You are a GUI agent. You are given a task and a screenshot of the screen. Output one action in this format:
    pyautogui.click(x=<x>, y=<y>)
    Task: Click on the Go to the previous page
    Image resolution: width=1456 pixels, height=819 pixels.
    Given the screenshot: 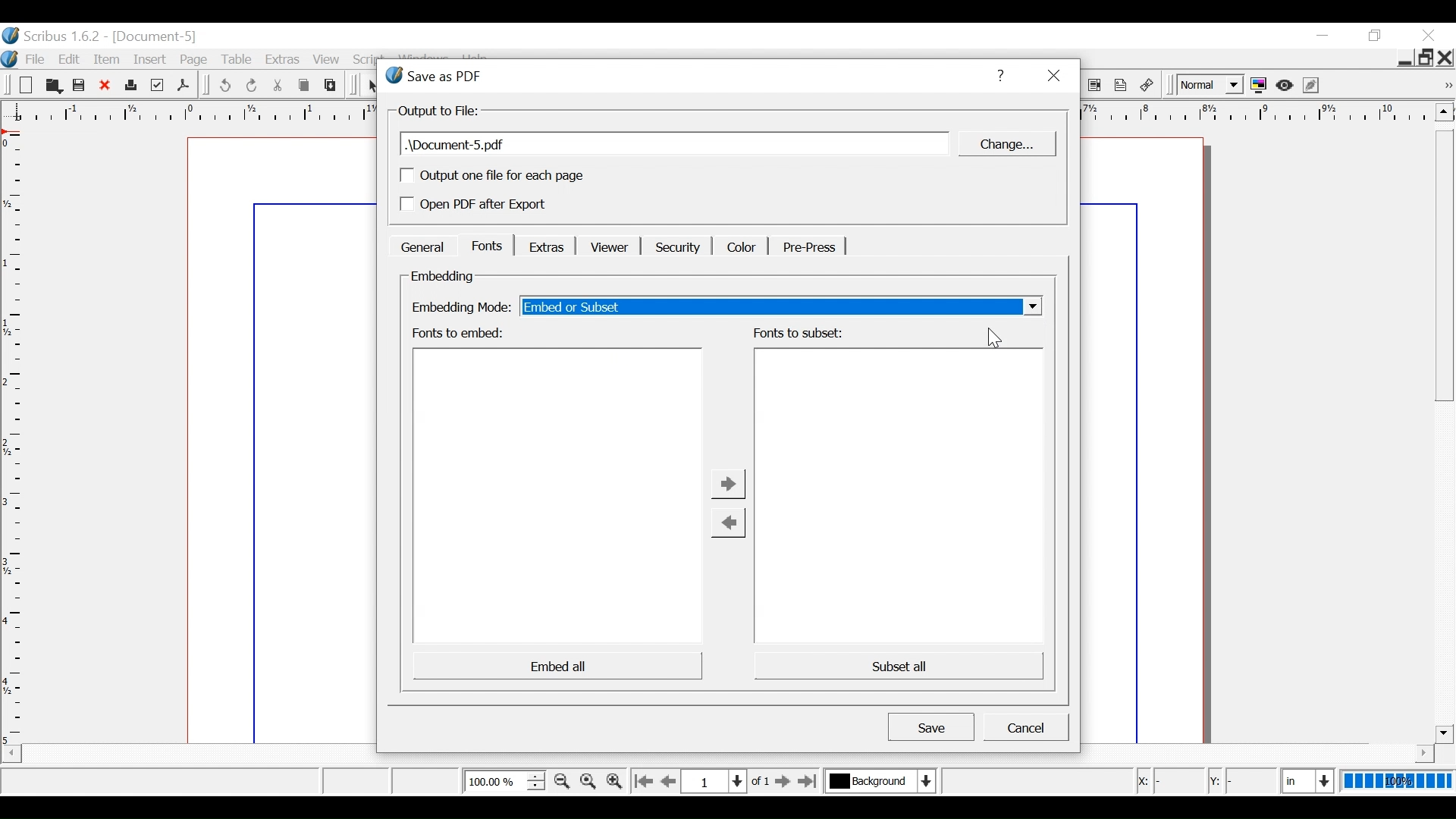 What is the action you would take?
    pyautogui.click(x=670, y=781)
    